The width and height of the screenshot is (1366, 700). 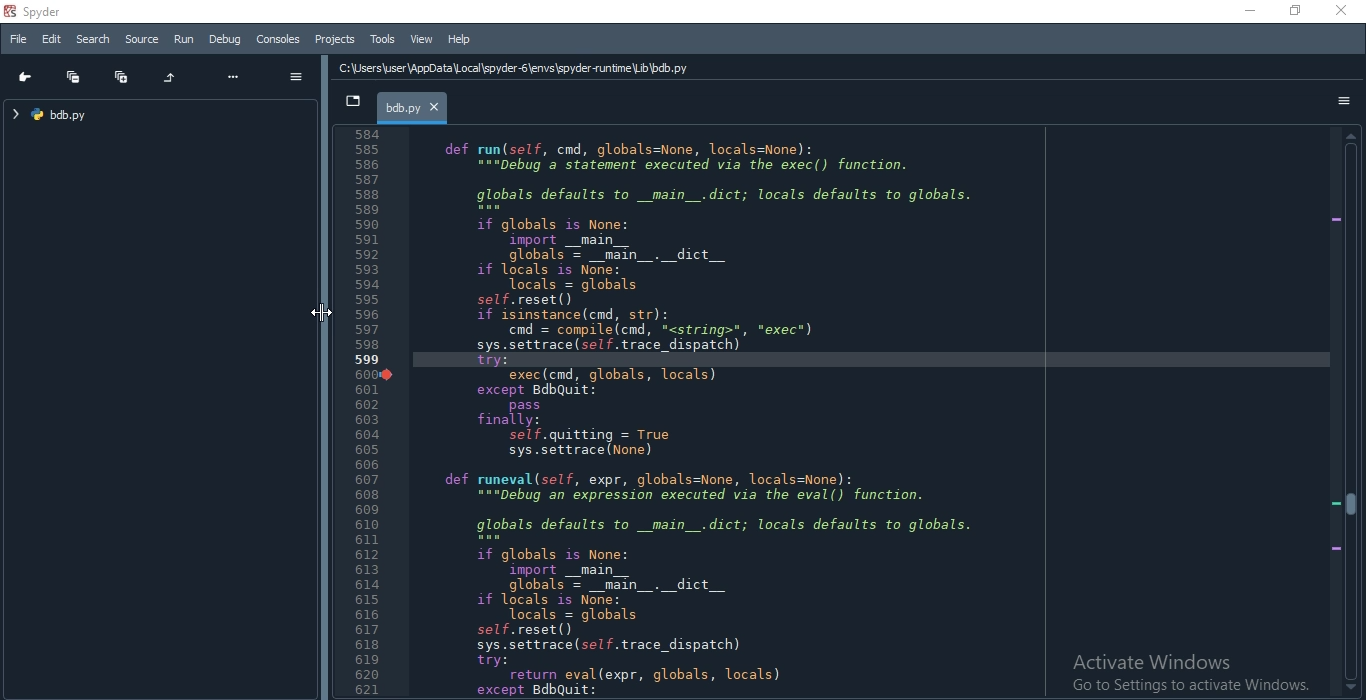 I want to click on Search, so click(x=94, y=39).